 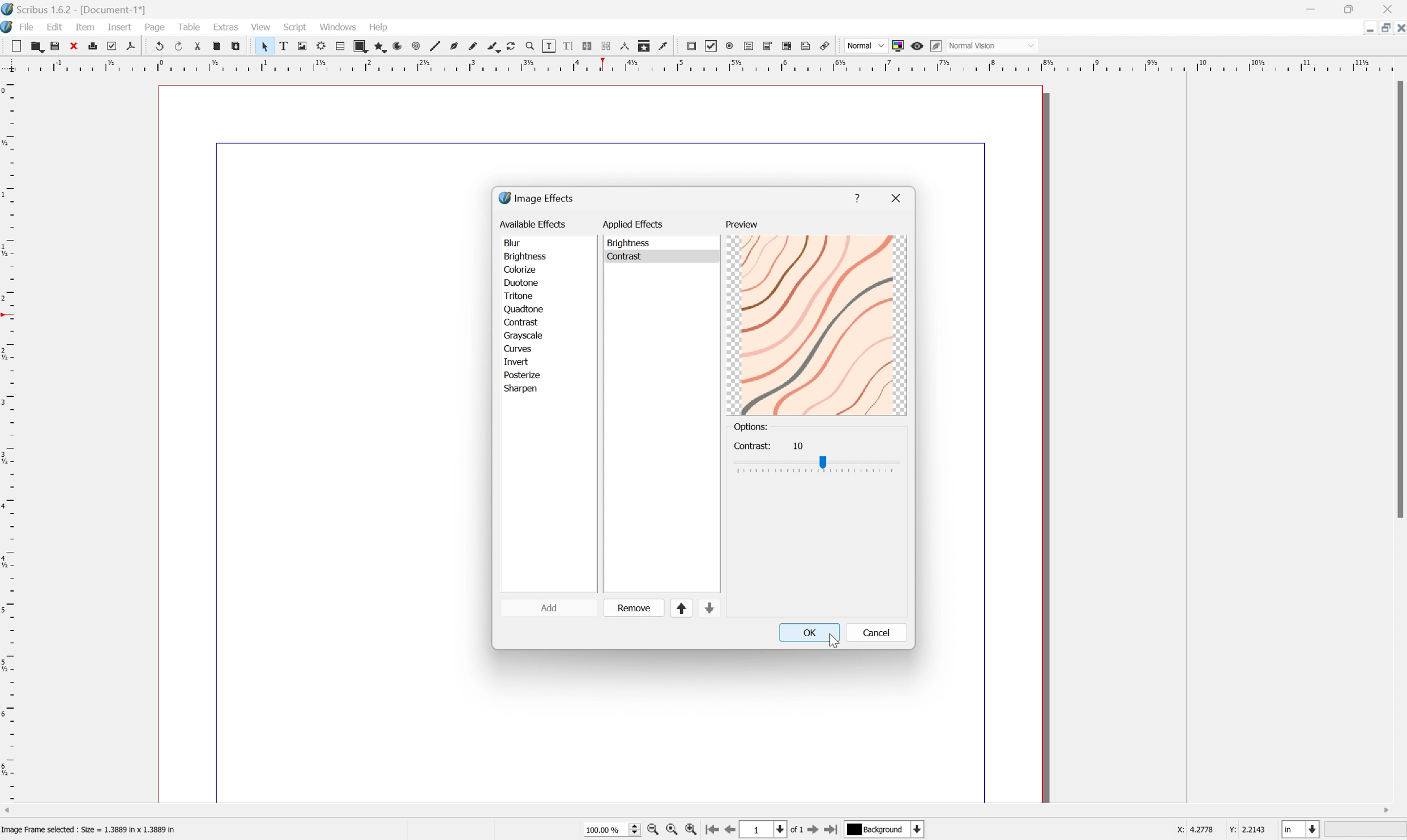 What do you see at coordinates (521, 294) in the screenshot?
I see `tritone` at bounding box center [521, 294].